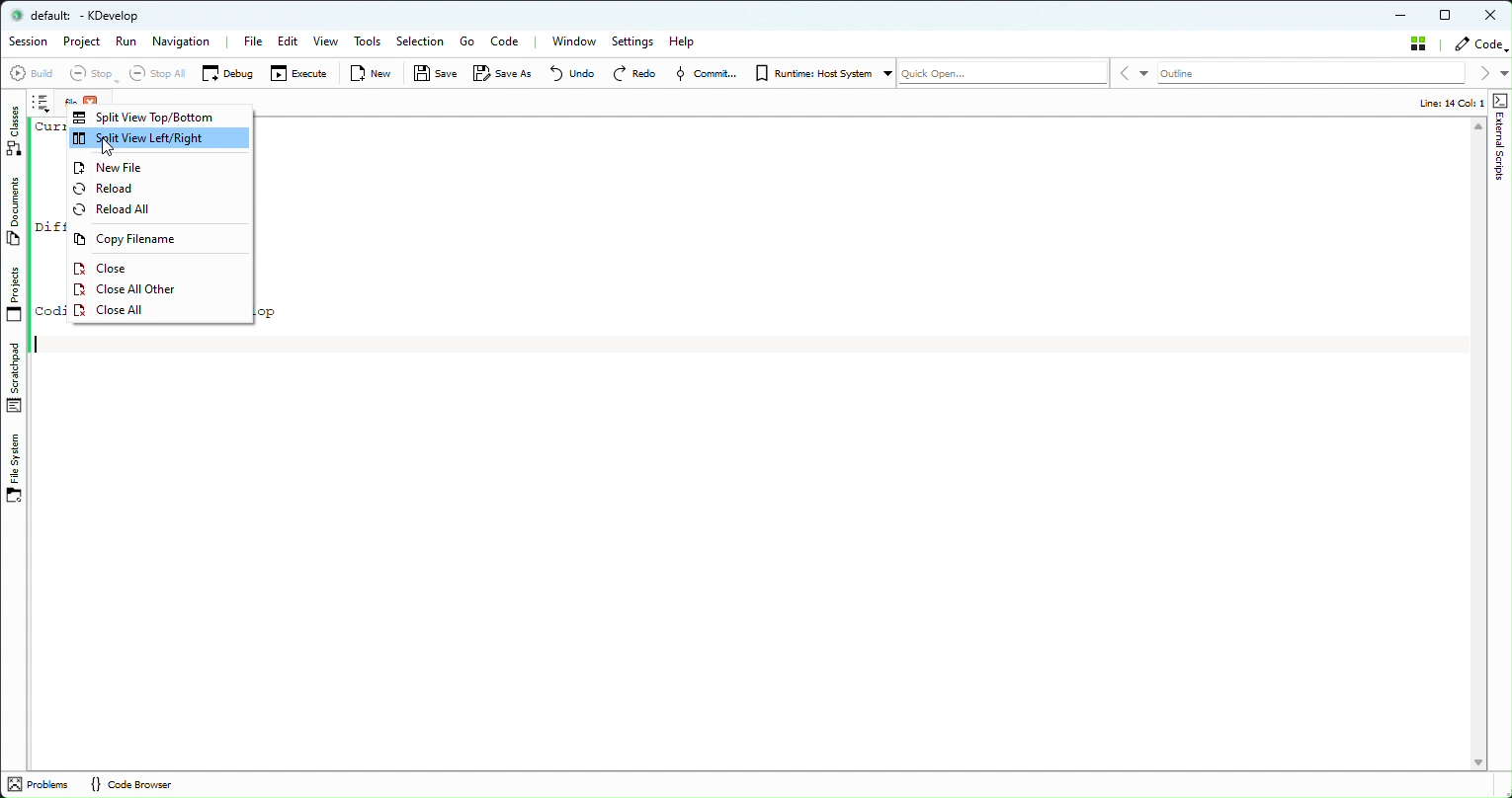 This screenshot has height=798, width=1512. I want to click on Select all, so click(161, 74).